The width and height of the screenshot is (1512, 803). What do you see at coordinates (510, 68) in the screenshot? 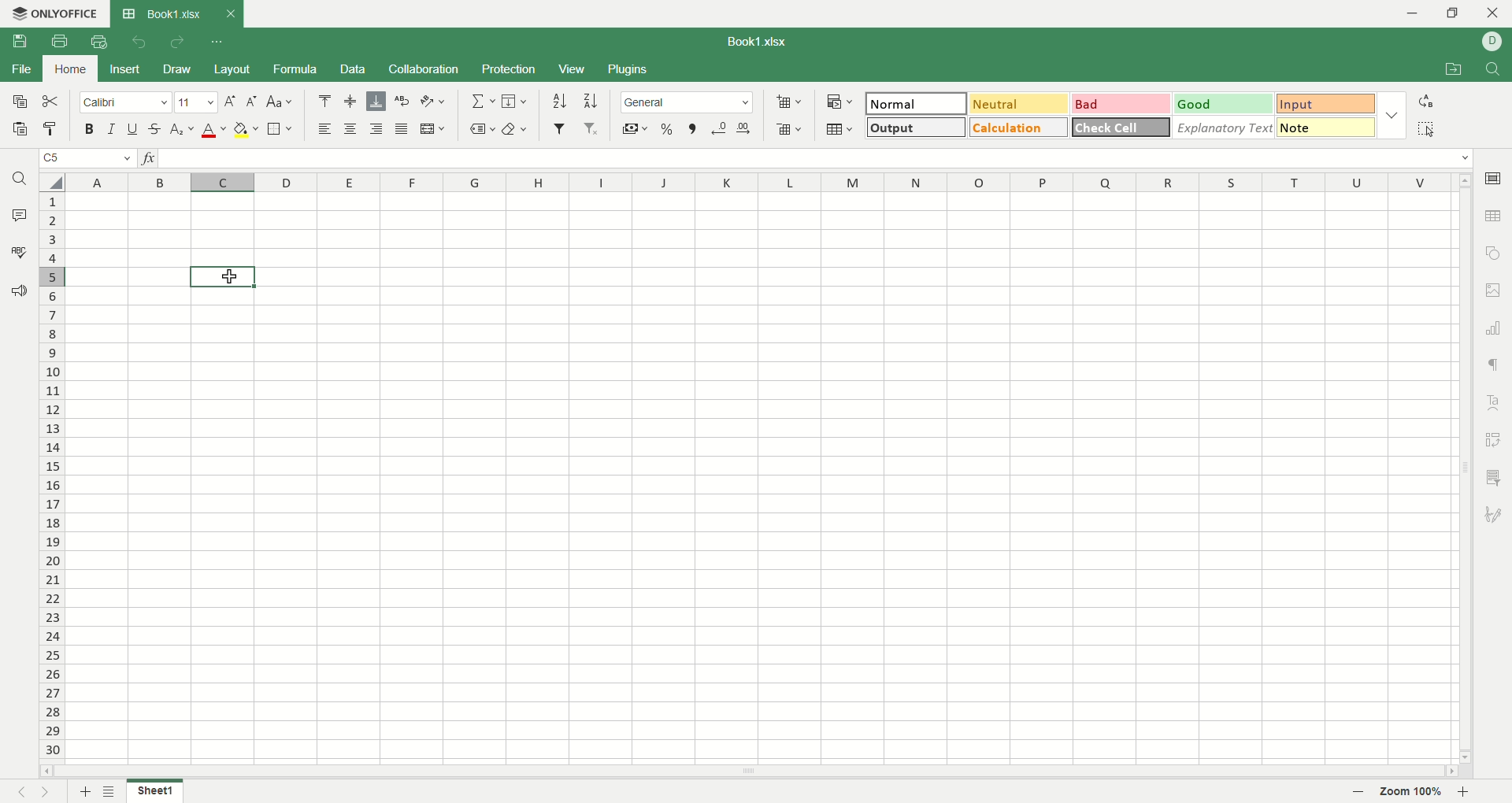
I see `protection` at bounding box center [510, 68].